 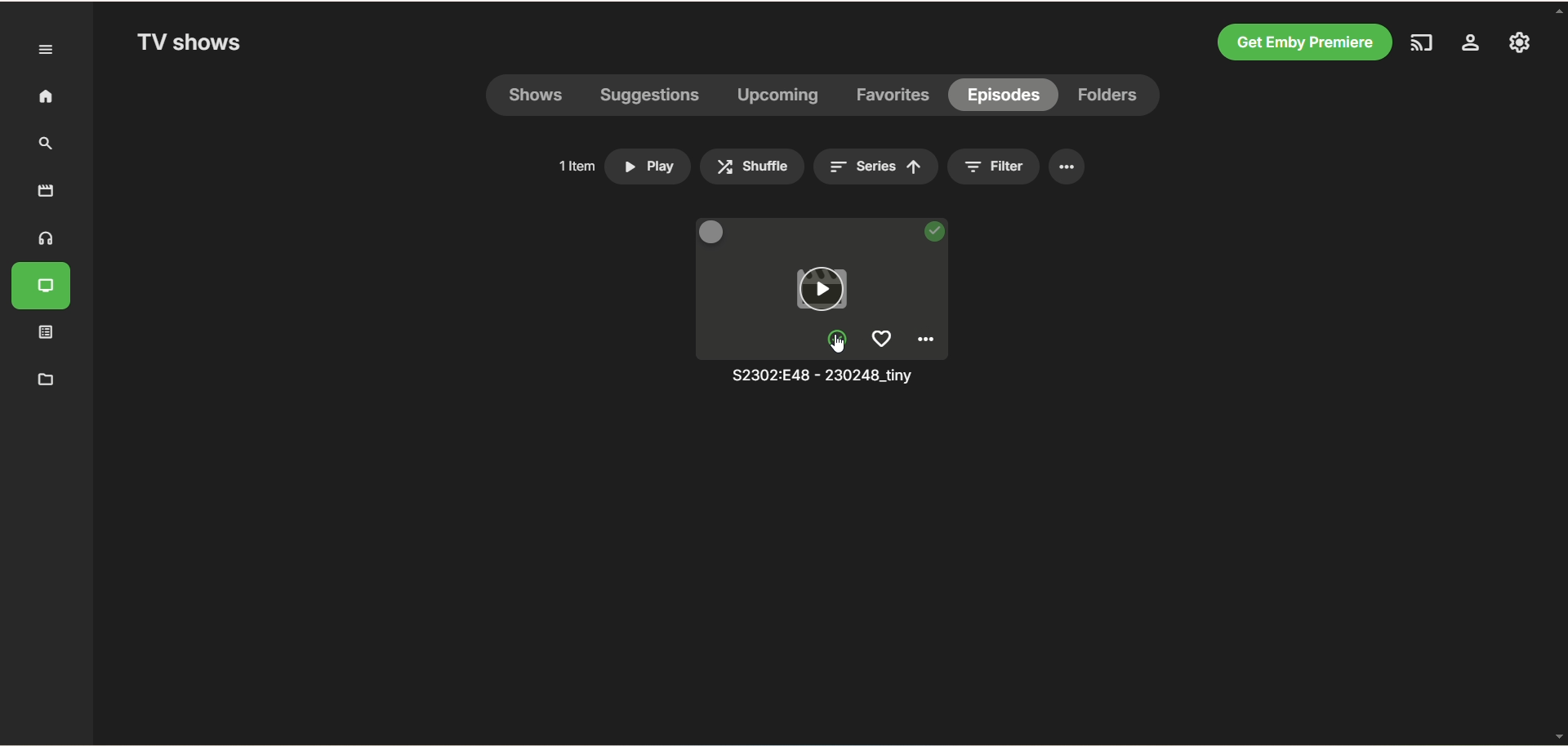 I want to click on » Play, so click(x=650, y=167).